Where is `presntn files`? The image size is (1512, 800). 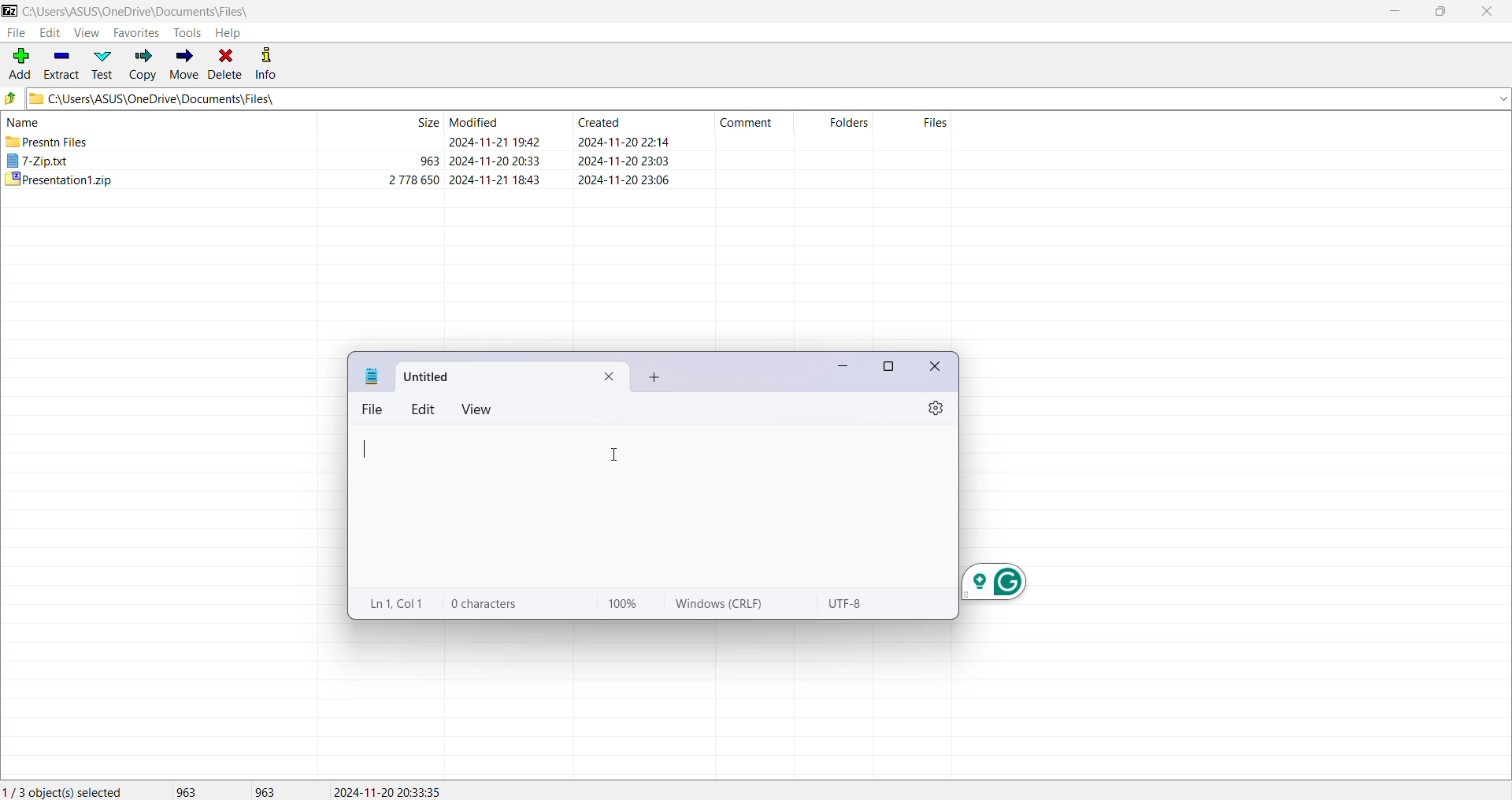
presntn files is located at coordinates (47, 141).